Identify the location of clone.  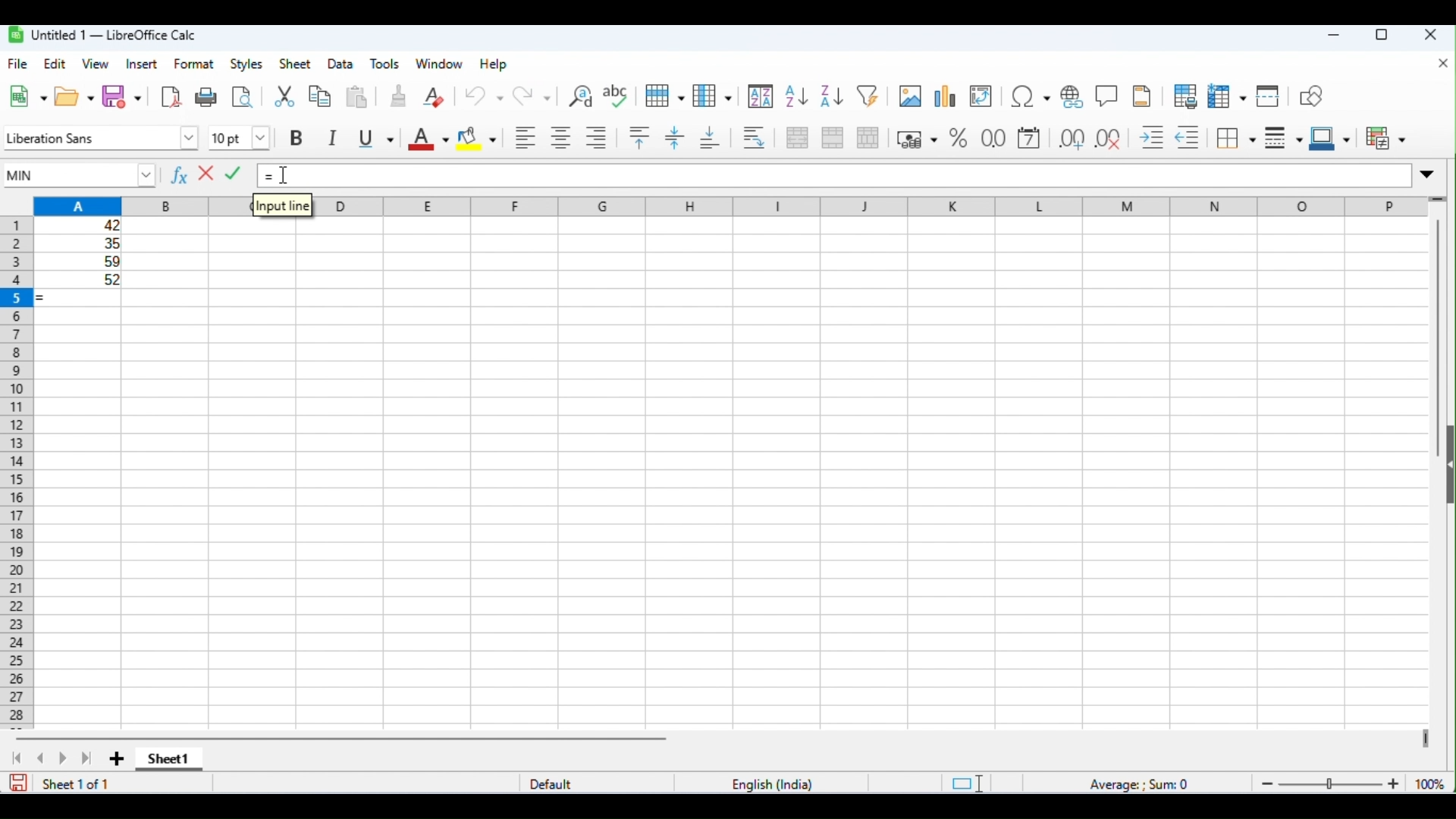
(399, 96).